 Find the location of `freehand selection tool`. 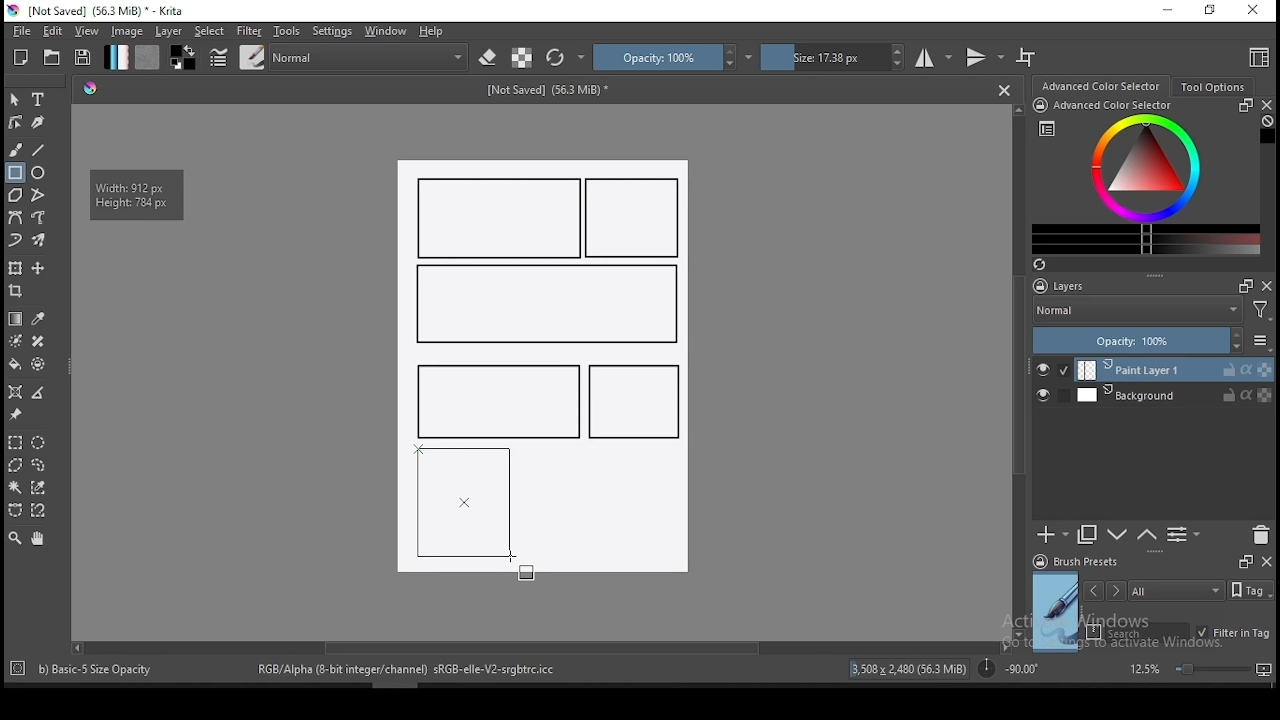

freehand selection tool is located at coordinates (39, 465).